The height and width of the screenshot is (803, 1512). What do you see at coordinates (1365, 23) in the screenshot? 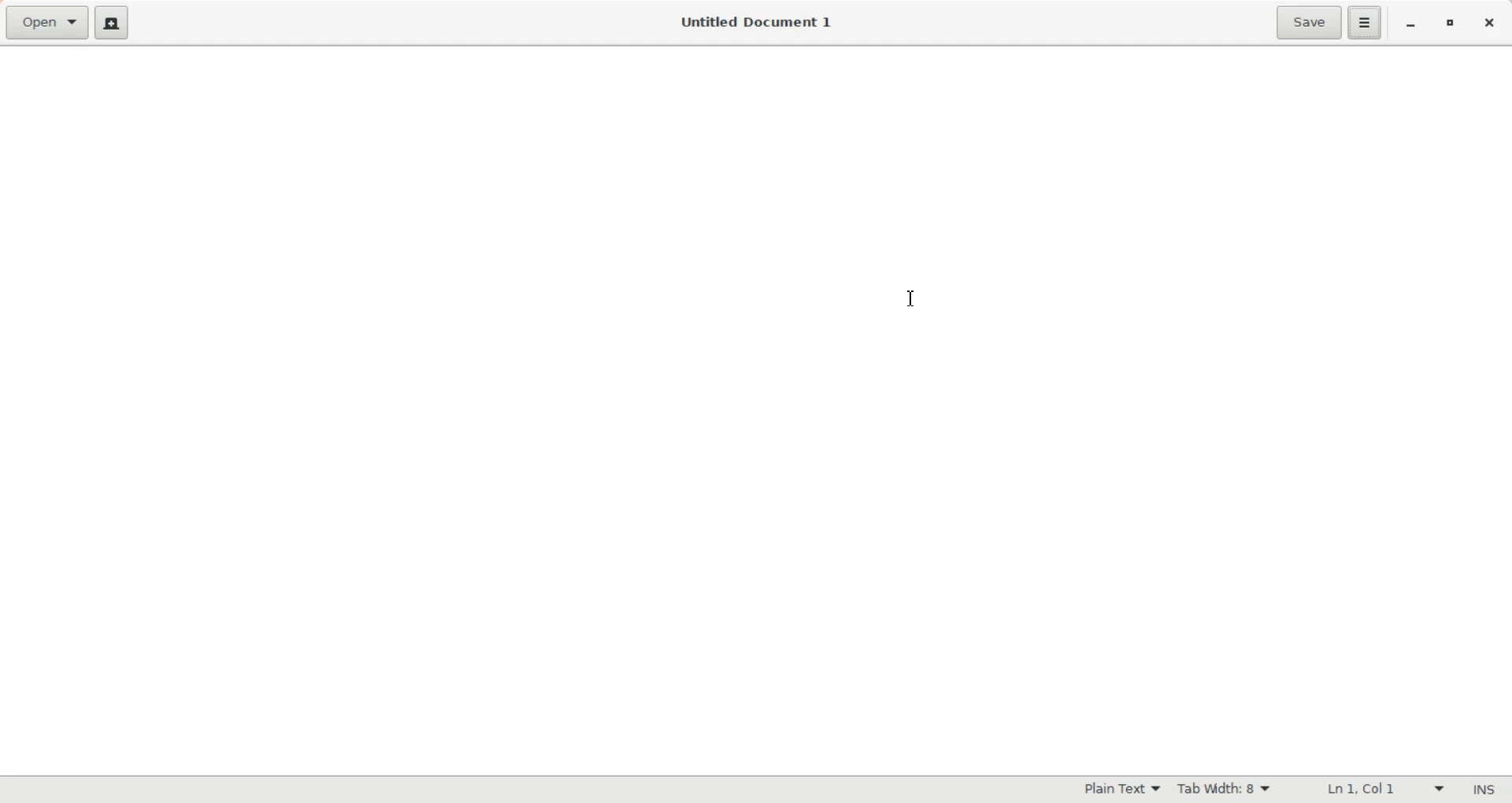
I see `Hamburger settings` at bounding box center [1365, 23].